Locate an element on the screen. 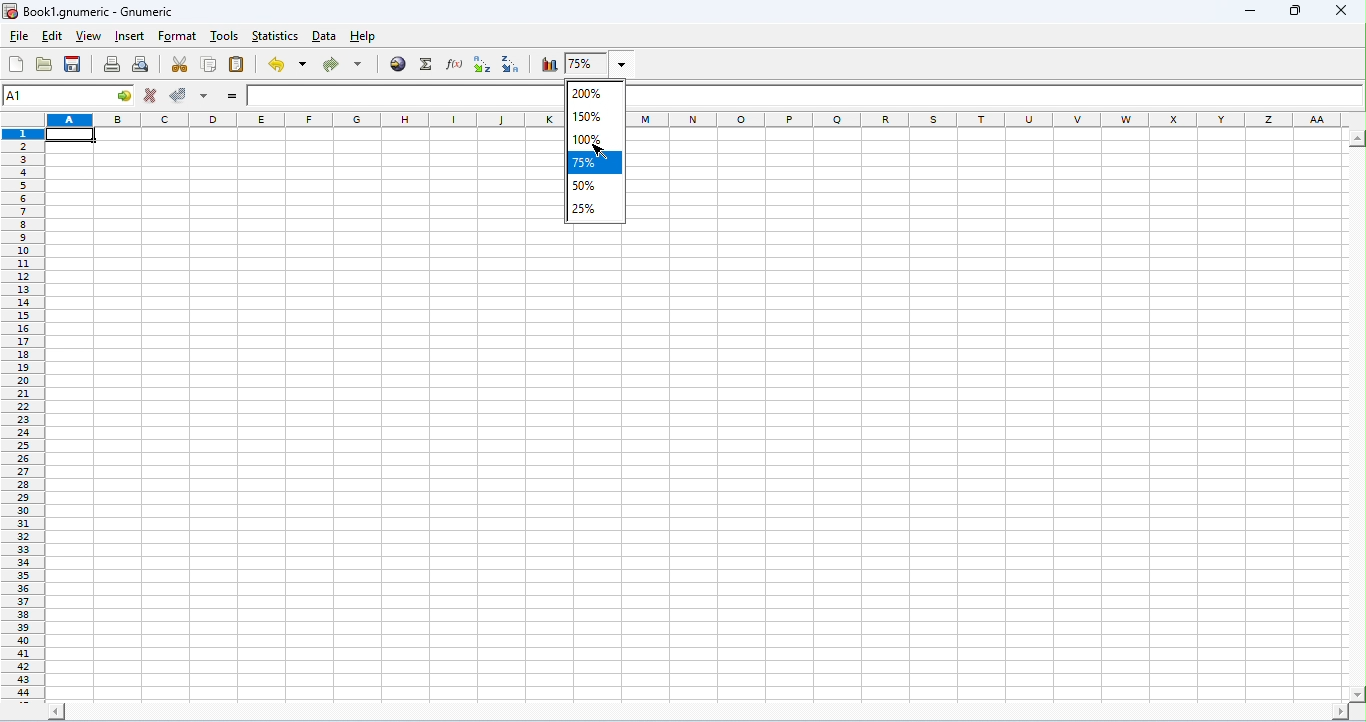  formula bar is located at coordinates (994, 96).